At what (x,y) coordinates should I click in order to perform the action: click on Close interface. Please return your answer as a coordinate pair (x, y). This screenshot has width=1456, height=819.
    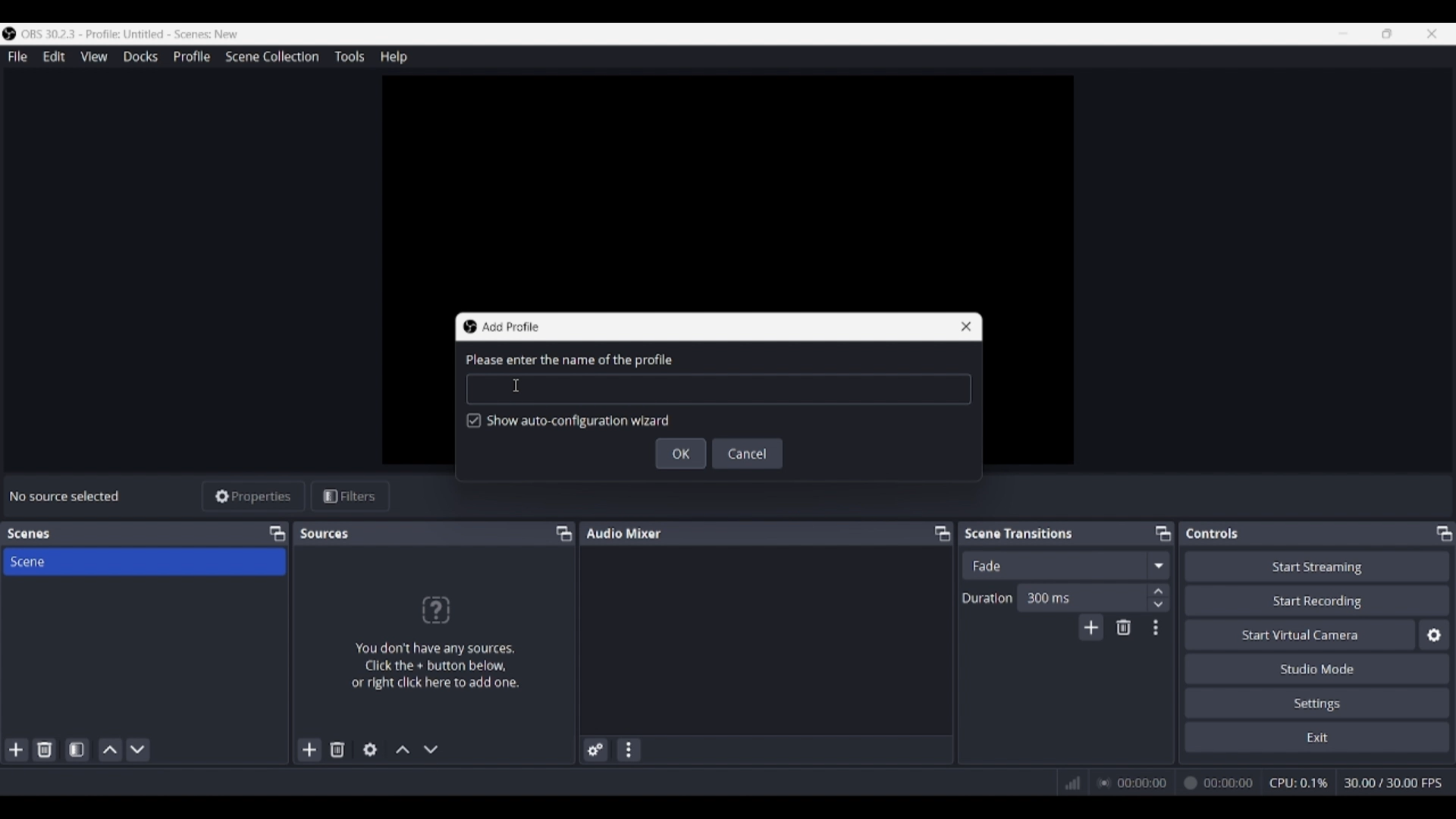
    Looking at the image, I should click on (1432, 33).